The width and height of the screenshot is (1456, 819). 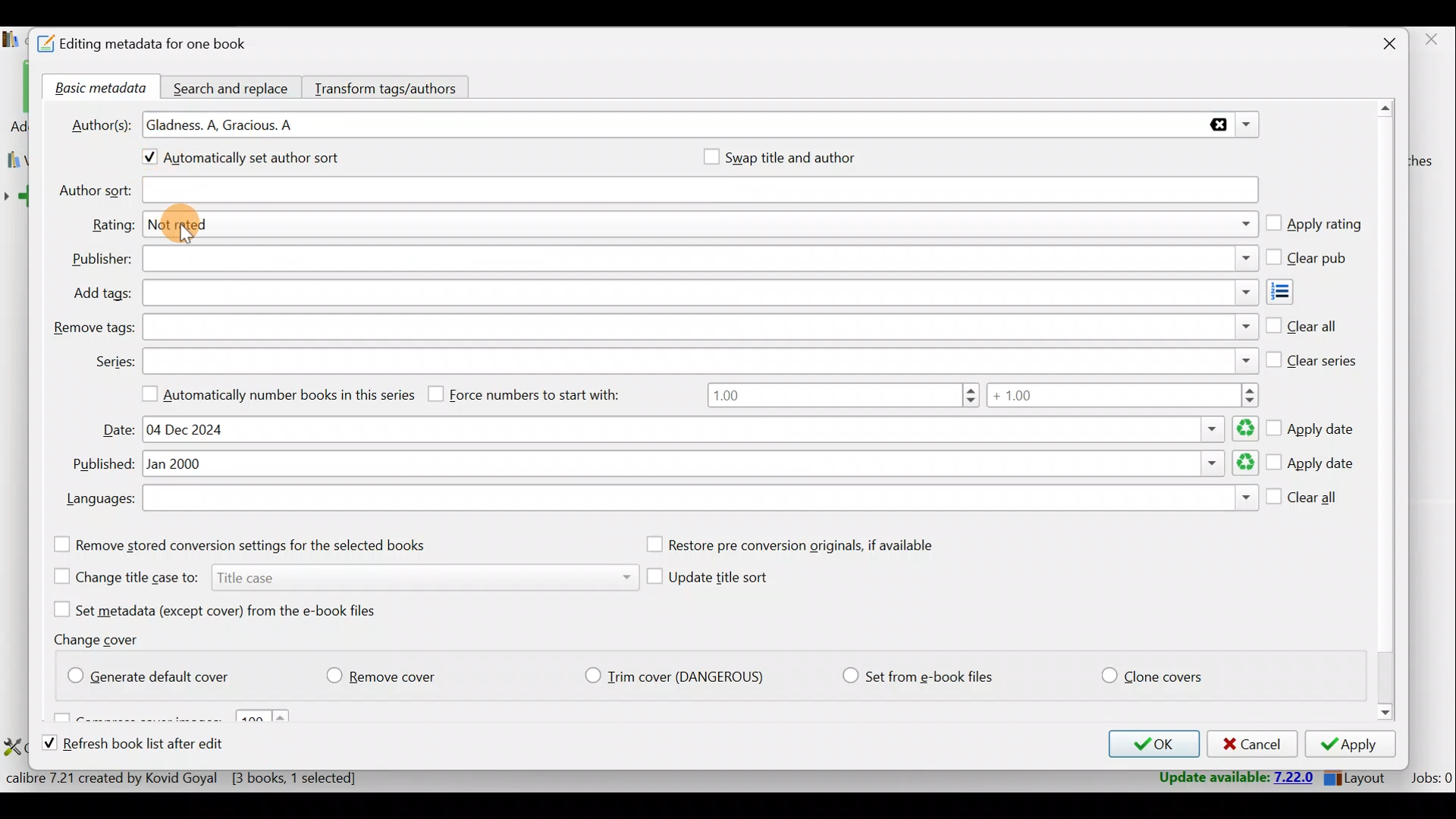 I want to click on Automatically number books in this series, so click(x=272, y=393).